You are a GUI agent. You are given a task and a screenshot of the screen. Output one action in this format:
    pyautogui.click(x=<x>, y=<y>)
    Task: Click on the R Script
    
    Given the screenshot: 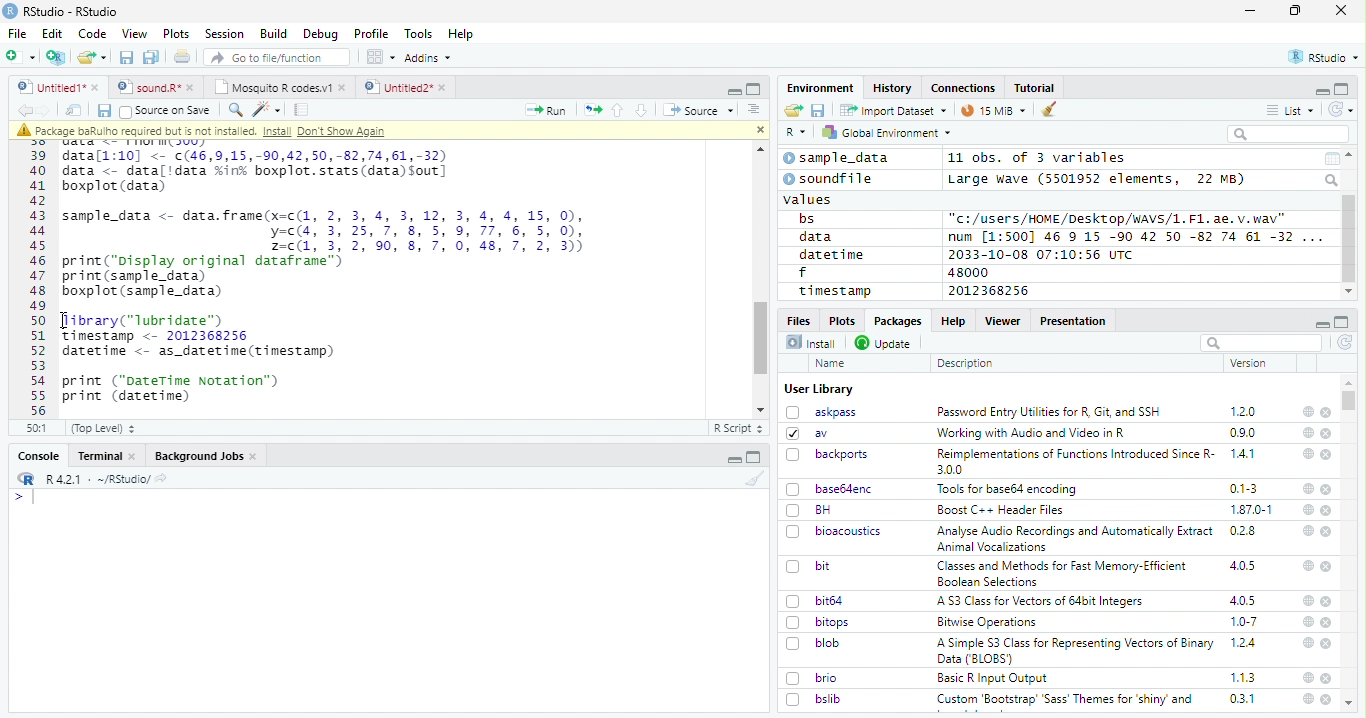 What is the action you would take?
    pyautogui.click(x=737, y=429)
    